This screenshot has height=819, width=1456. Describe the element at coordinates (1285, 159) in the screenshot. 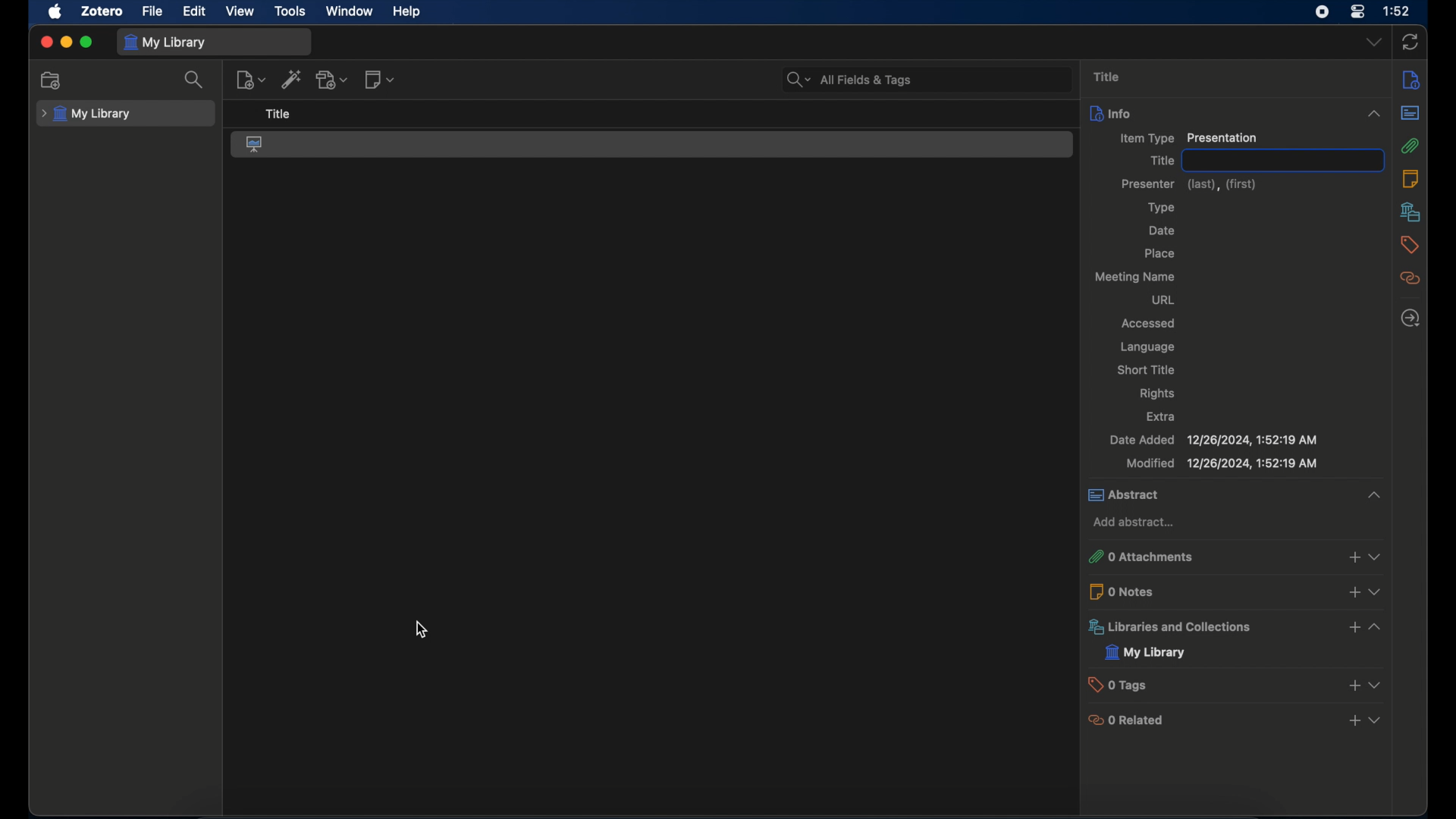

I see `title` at that location.